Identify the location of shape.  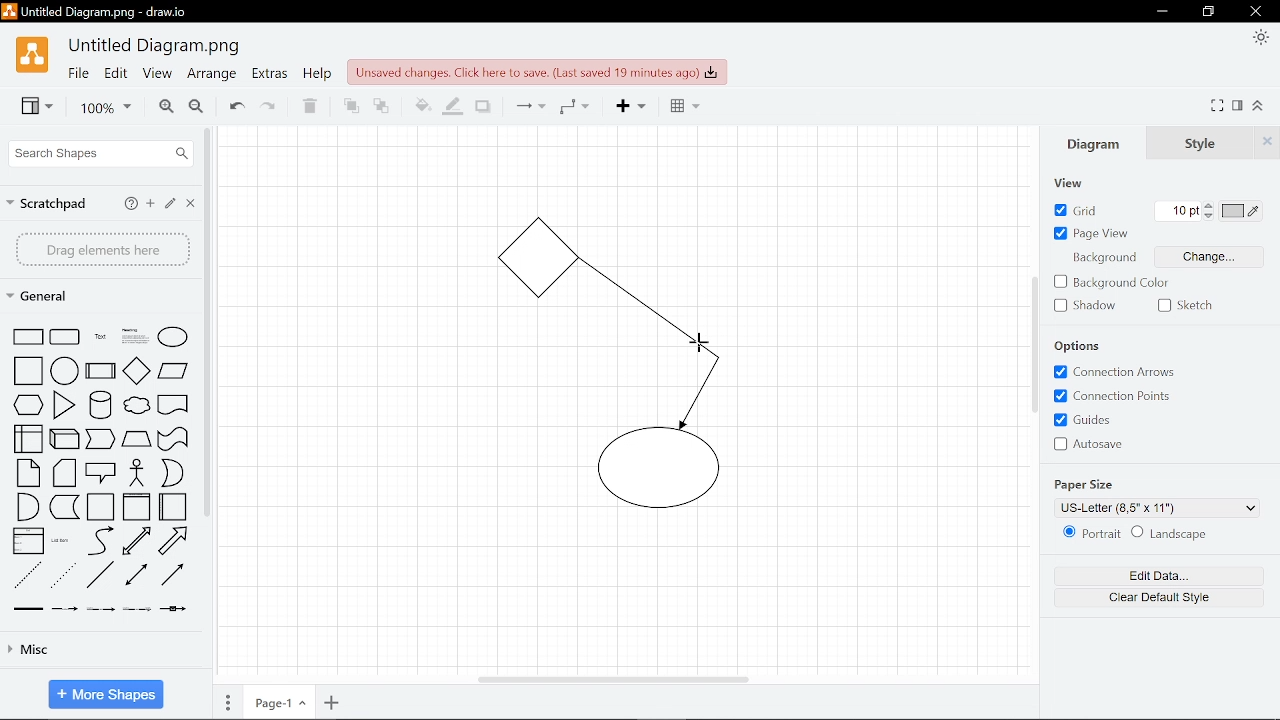
(64, 405).